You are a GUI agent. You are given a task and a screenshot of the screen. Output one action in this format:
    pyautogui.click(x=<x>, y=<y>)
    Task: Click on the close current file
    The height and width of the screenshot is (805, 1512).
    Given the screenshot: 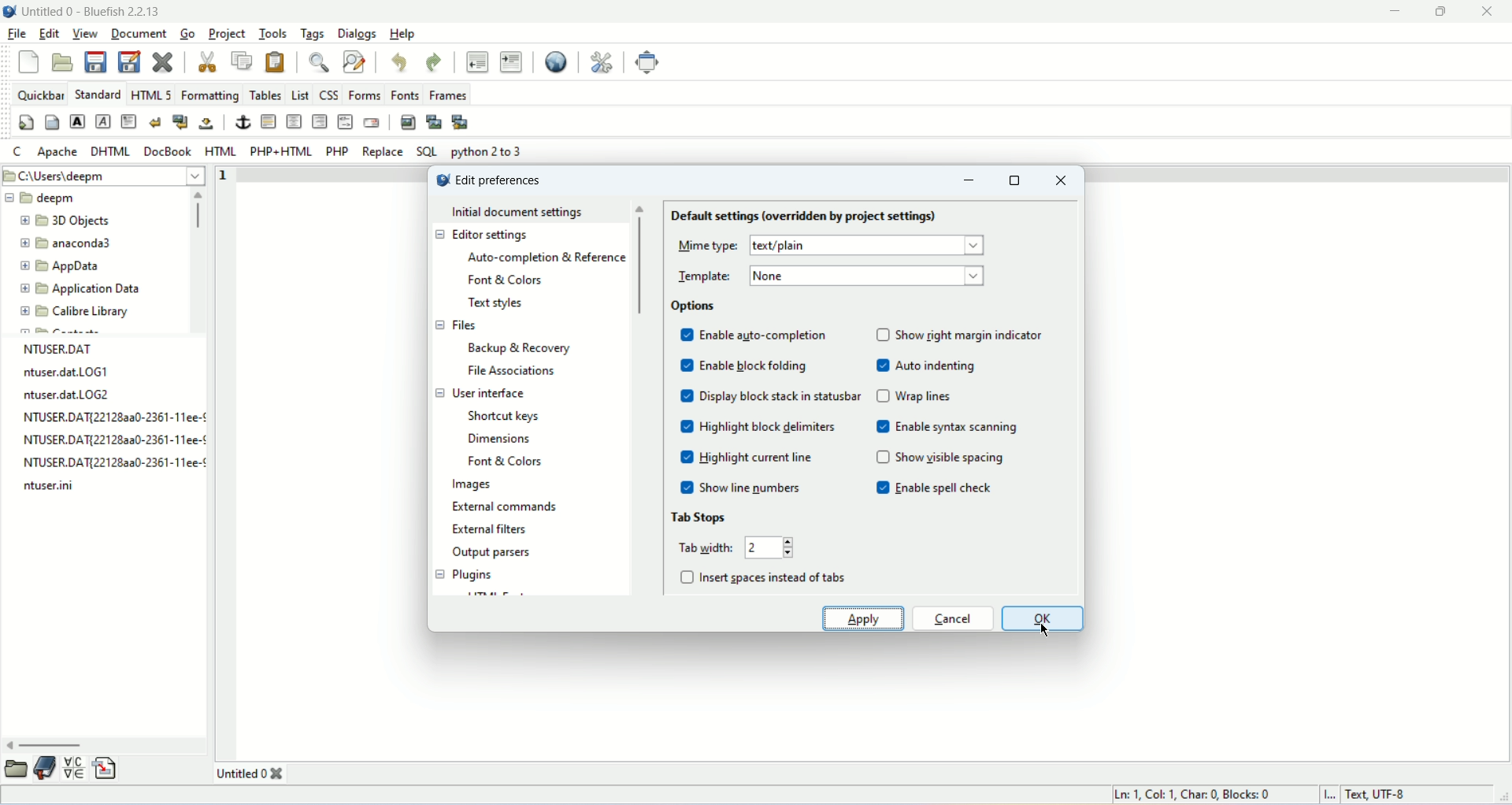 What is the action you would take?
    pyautogui.click(x=164, y=60)
    